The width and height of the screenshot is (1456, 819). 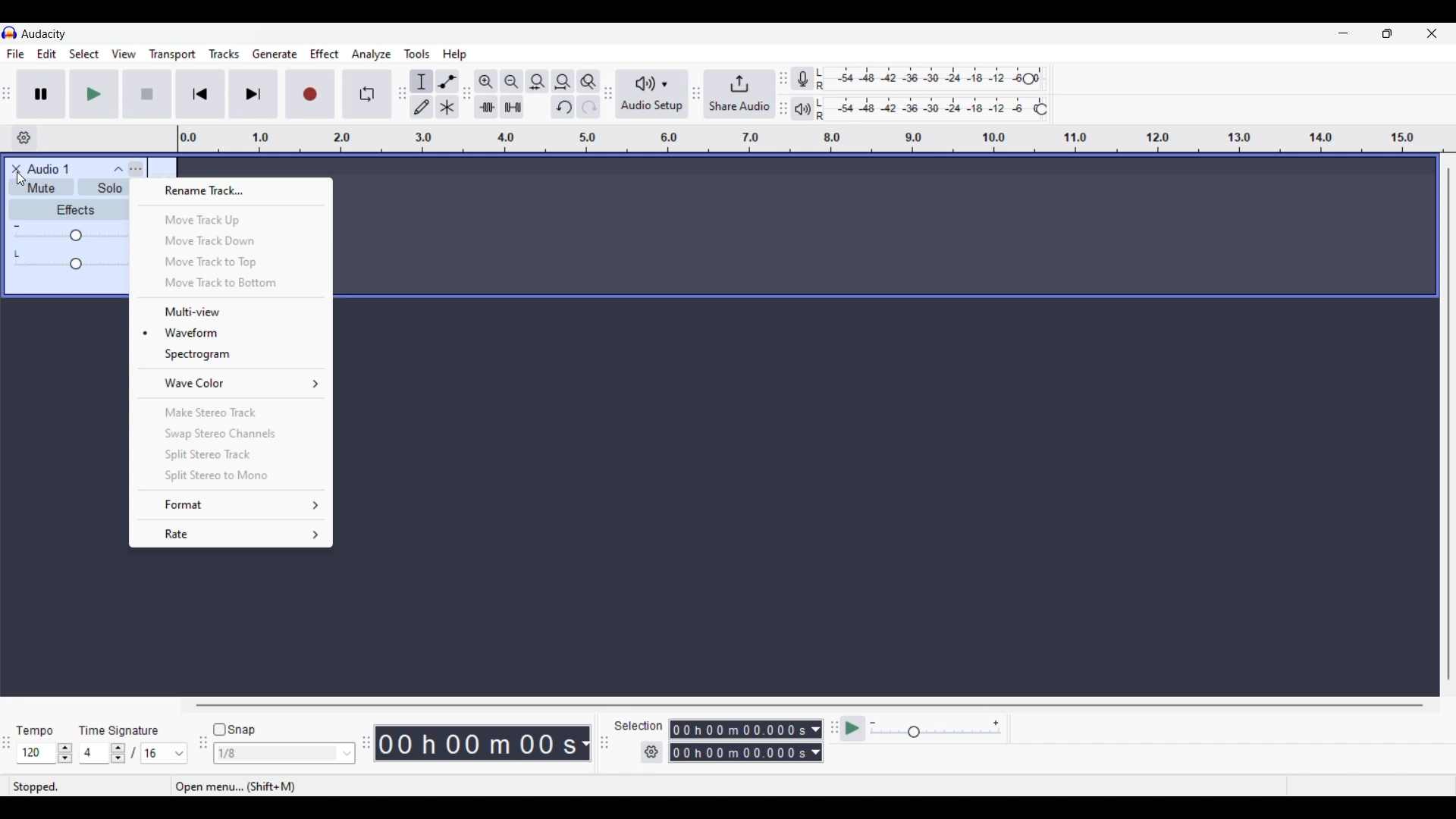 What do you see at coordinates (652, 752) in the screenshot?
I see `Selection settings` at bounding box center [652, 752].